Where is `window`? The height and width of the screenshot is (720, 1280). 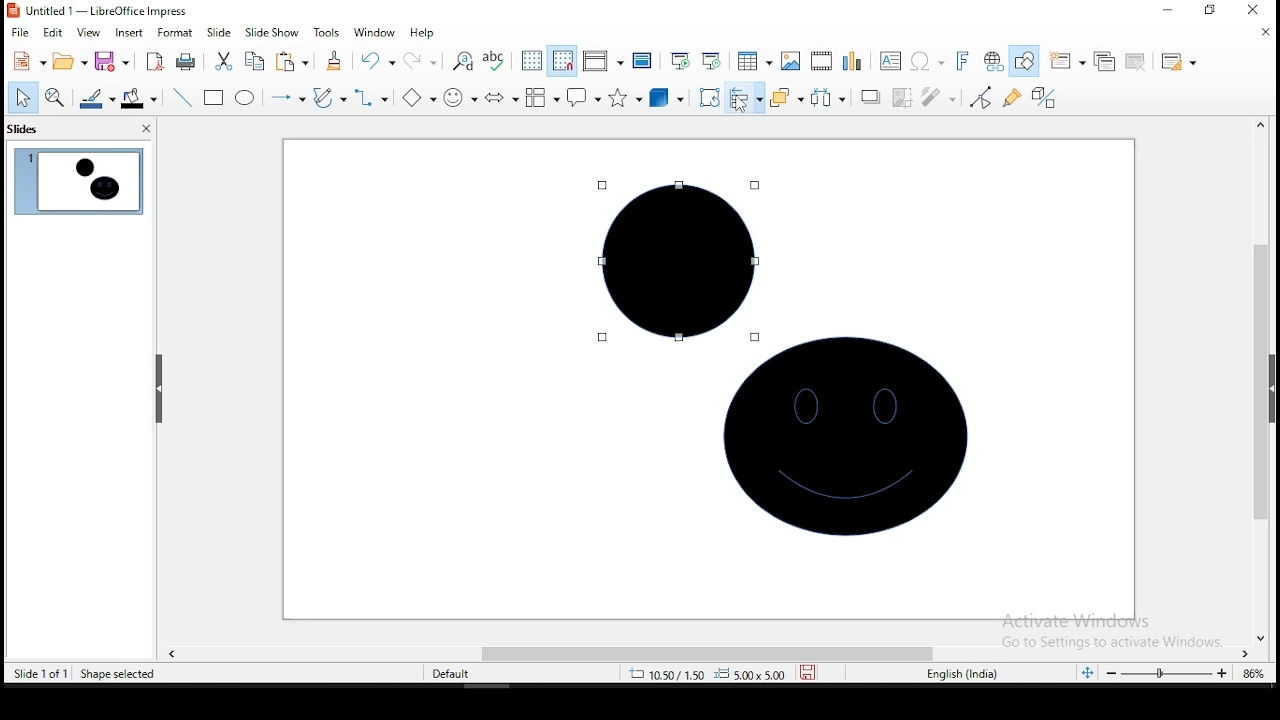
window is located at coordinates (372, 32).